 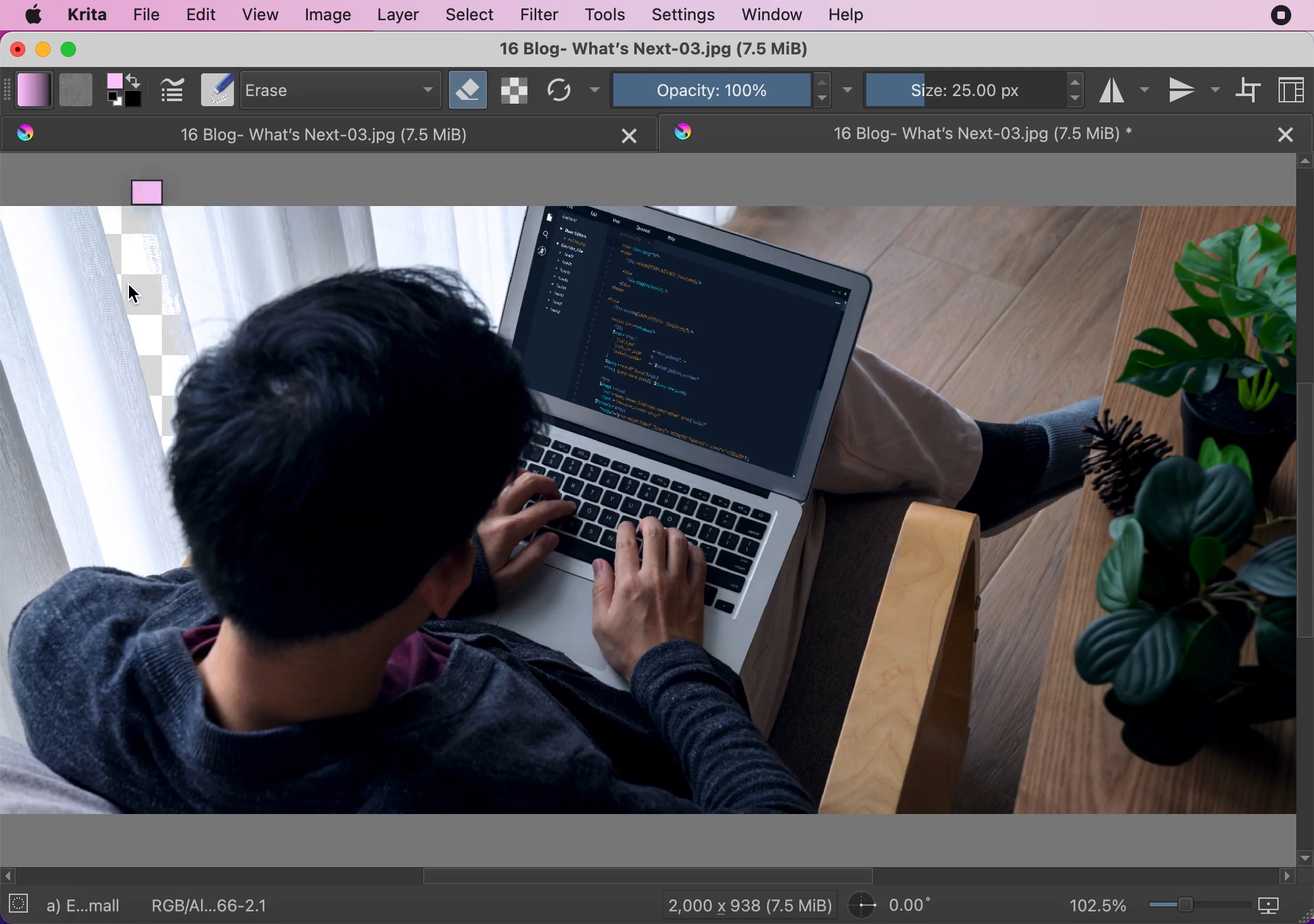 What do you see at coordinates (20, 903) in the screenshot?
I see `no selection` at bounding box center [20, 903].